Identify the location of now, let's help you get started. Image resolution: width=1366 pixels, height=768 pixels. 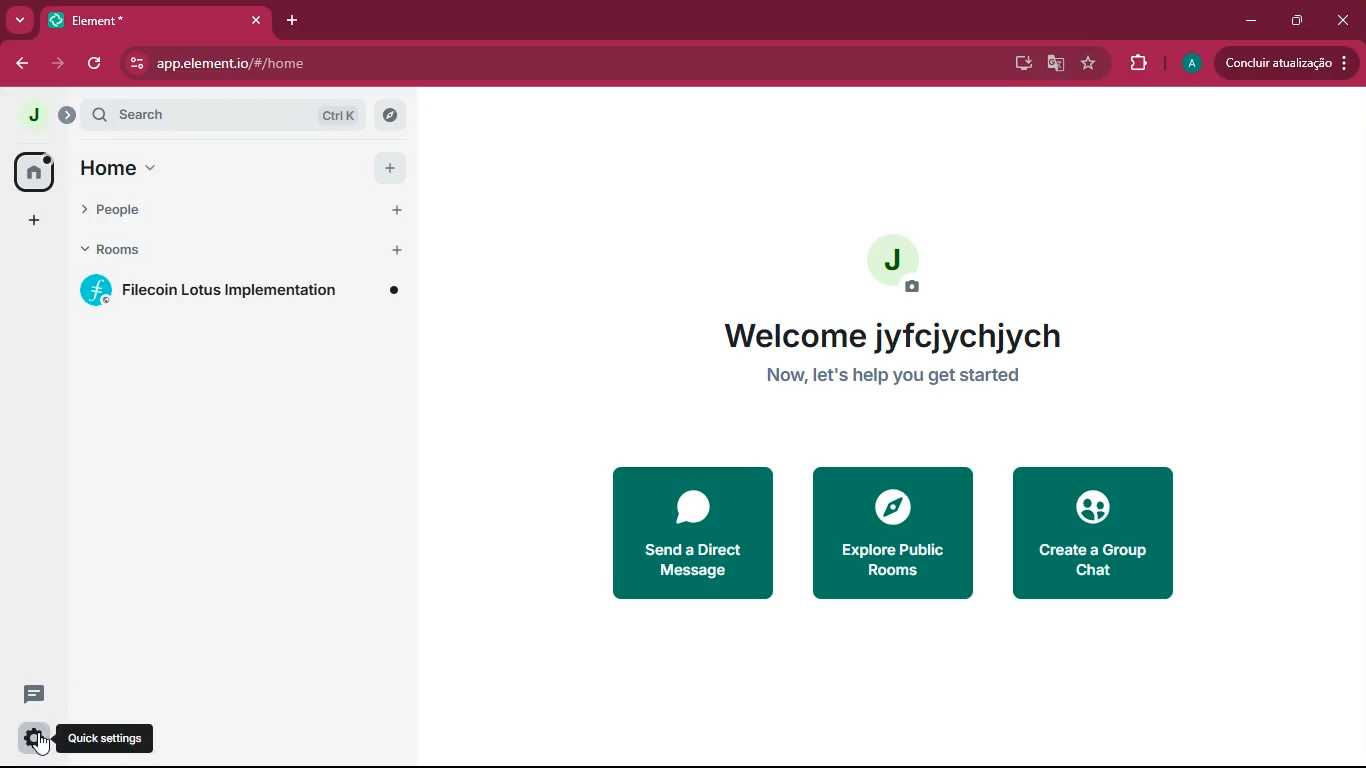
(901, 376).